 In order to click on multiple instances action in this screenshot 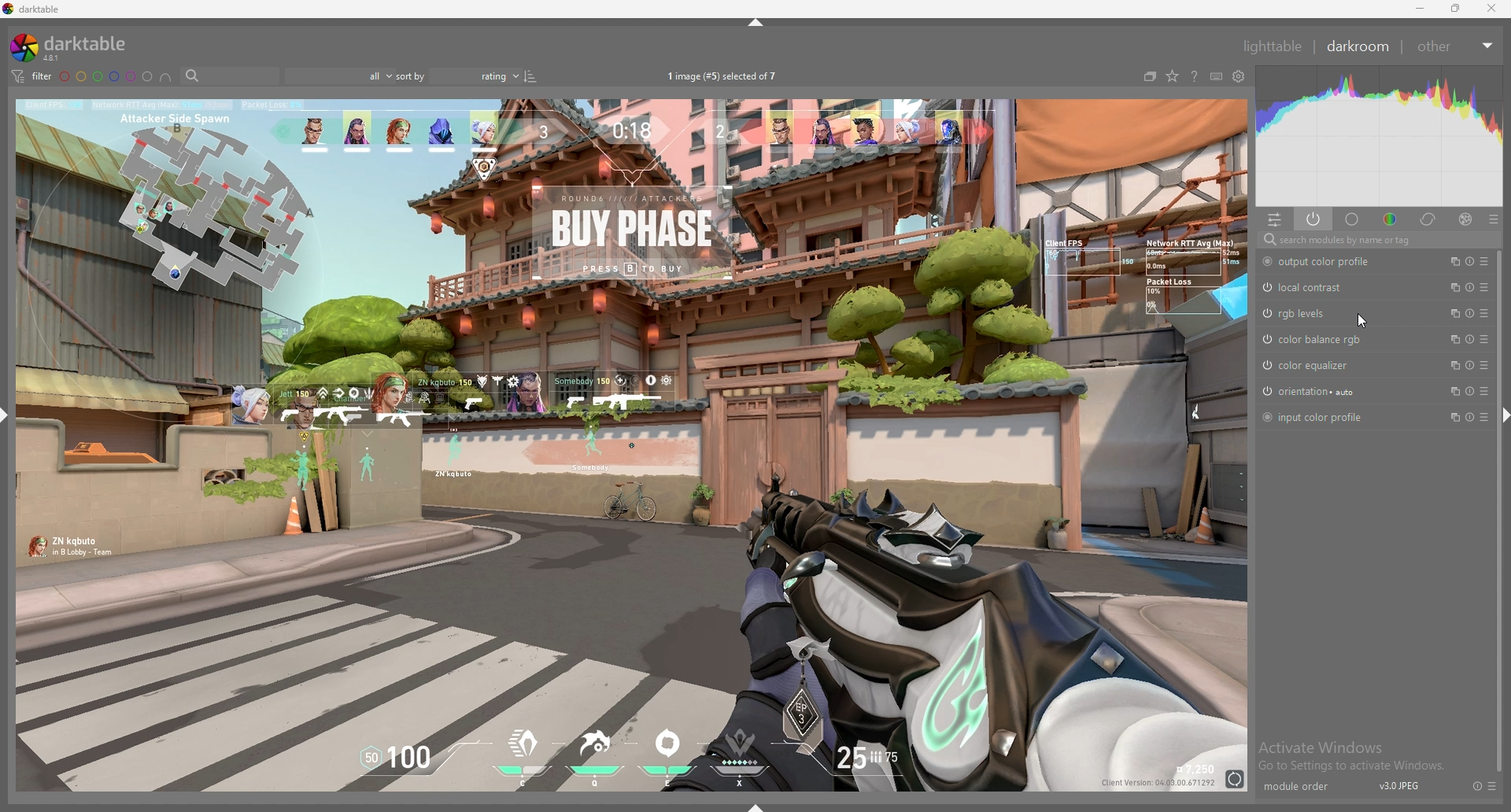, I will do `click(1450, 339)`.